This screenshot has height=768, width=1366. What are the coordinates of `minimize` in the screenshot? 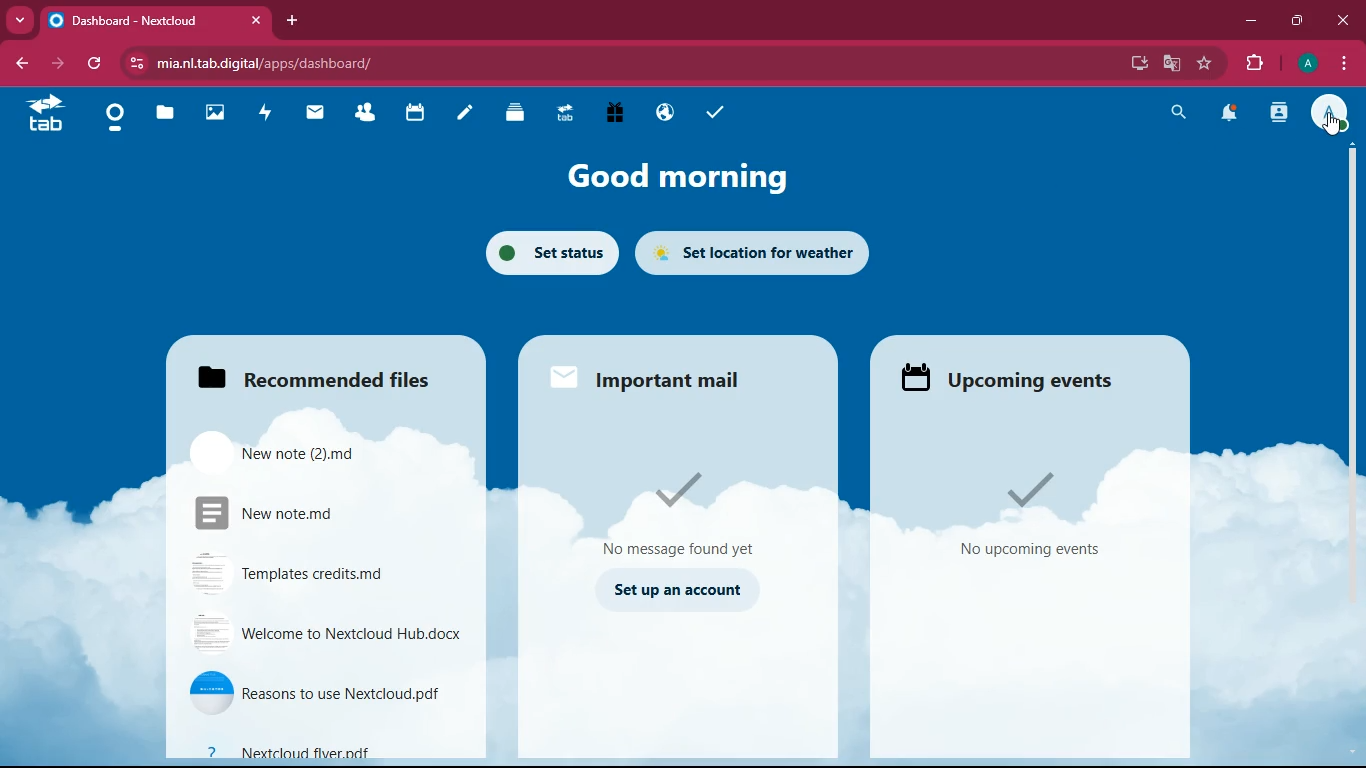 It's located at (1251, 21).